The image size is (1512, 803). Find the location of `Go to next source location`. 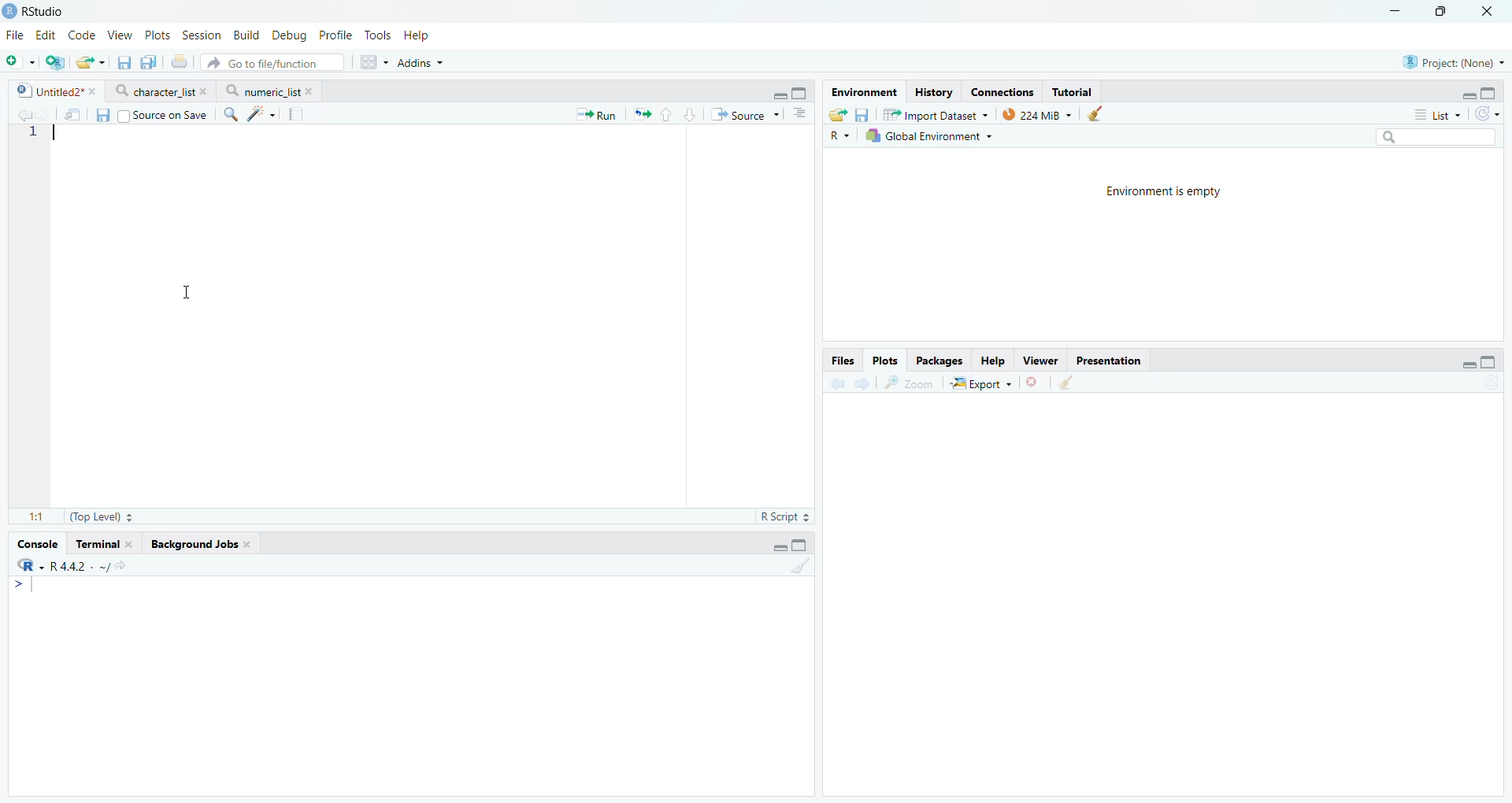

Go to next source location is located at coordinates (45, 113).